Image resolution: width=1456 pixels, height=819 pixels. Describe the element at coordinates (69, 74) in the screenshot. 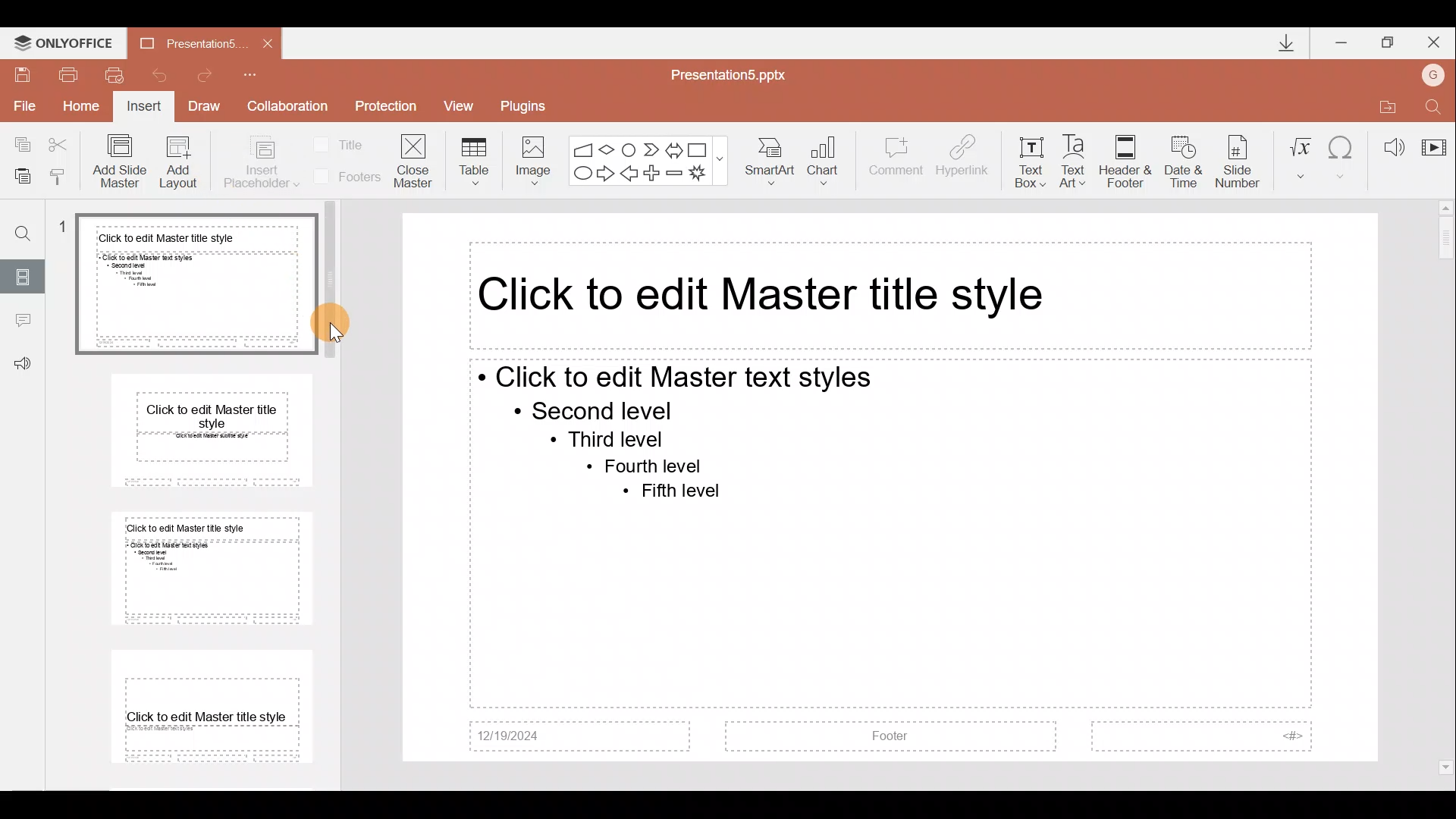

I see `Print file` at that location.